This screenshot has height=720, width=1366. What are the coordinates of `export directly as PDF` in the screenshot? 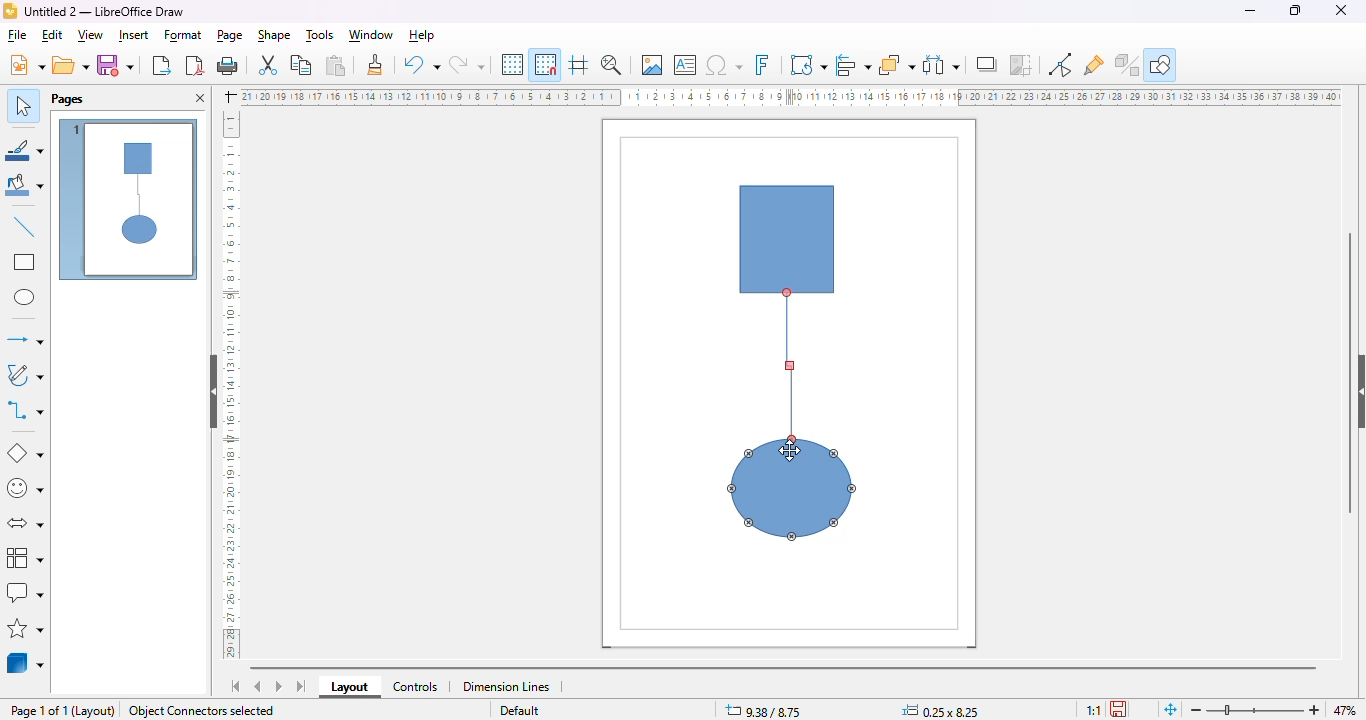 It's located at (196, 65).